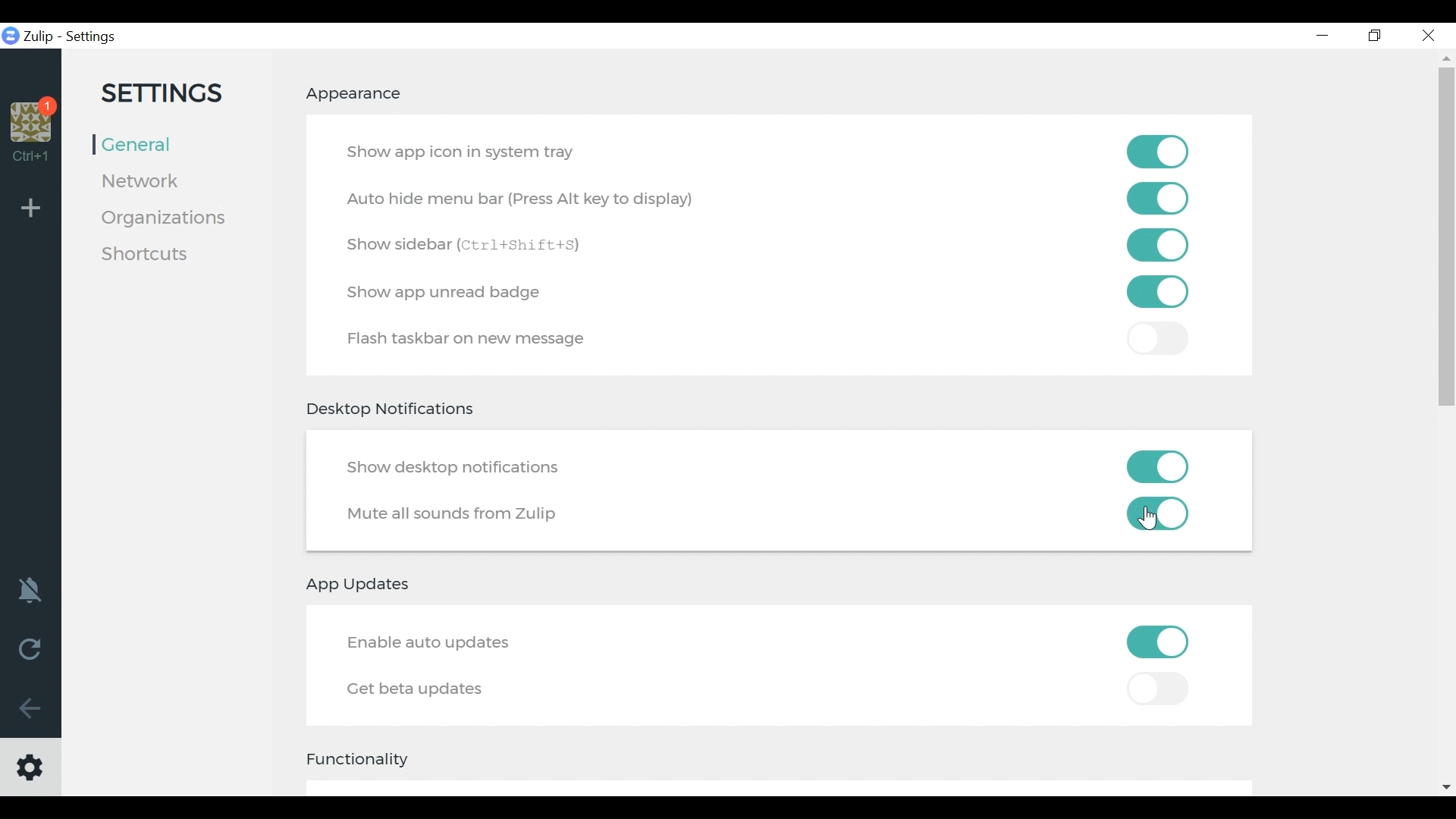  What do you see at coordinates (30, 648) in the screenshot?
I see `Reload` at bounding box center [30, 648].